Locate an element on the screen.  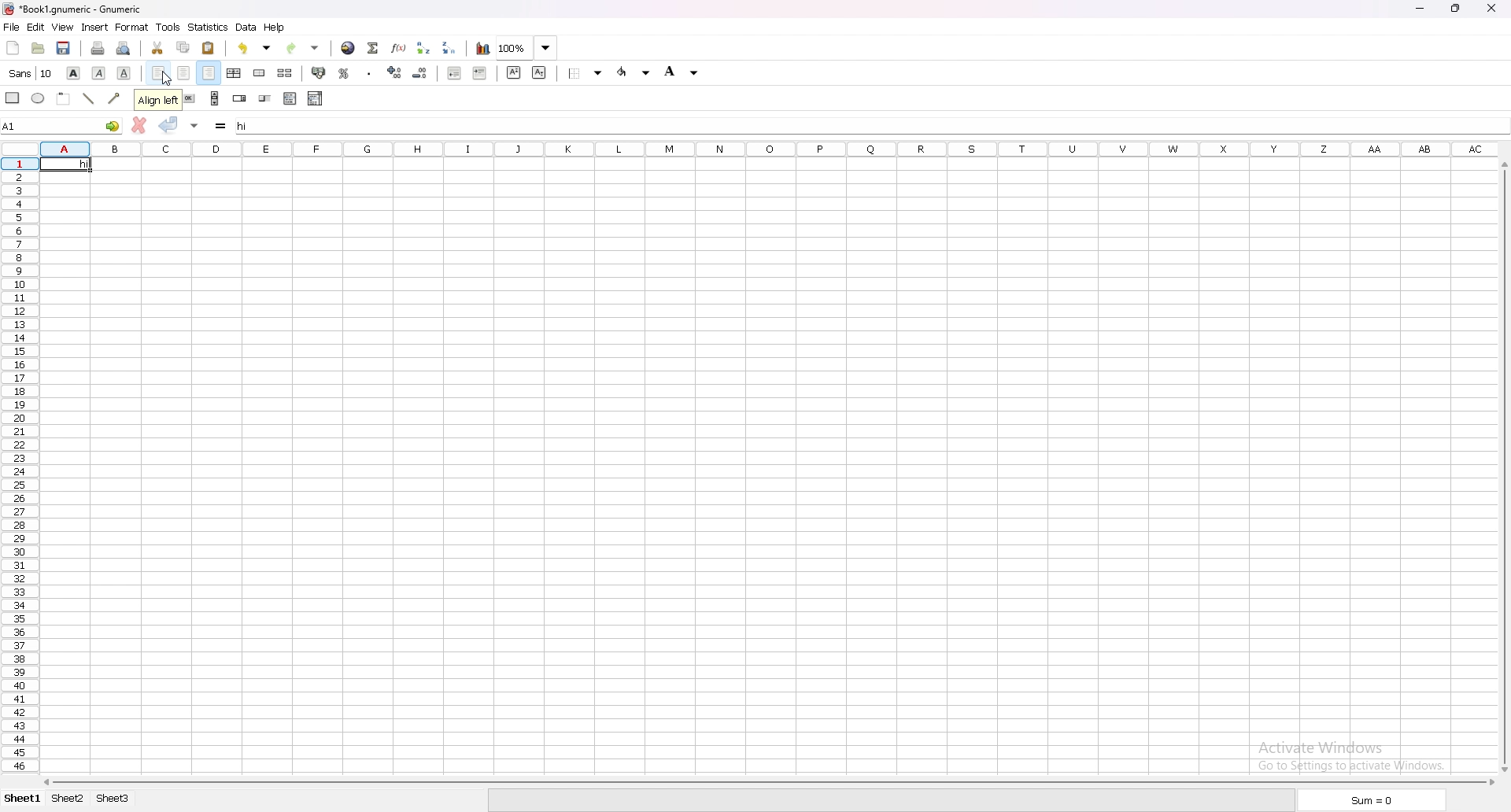
increase decimal point is located at coordinates (420, 72).